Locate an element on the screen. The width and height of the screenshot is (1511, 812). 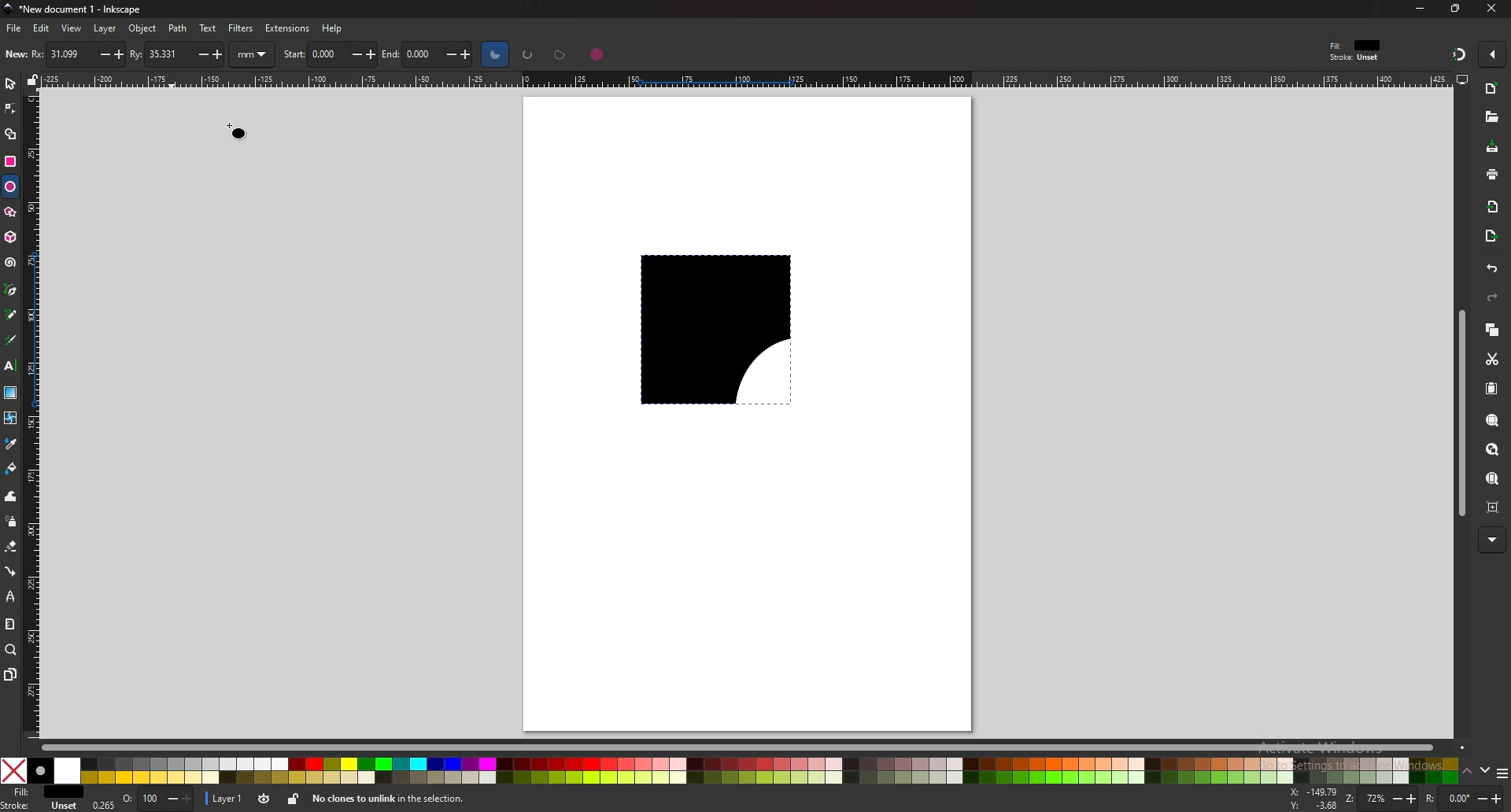
connector is located at coordinates (12, 570).